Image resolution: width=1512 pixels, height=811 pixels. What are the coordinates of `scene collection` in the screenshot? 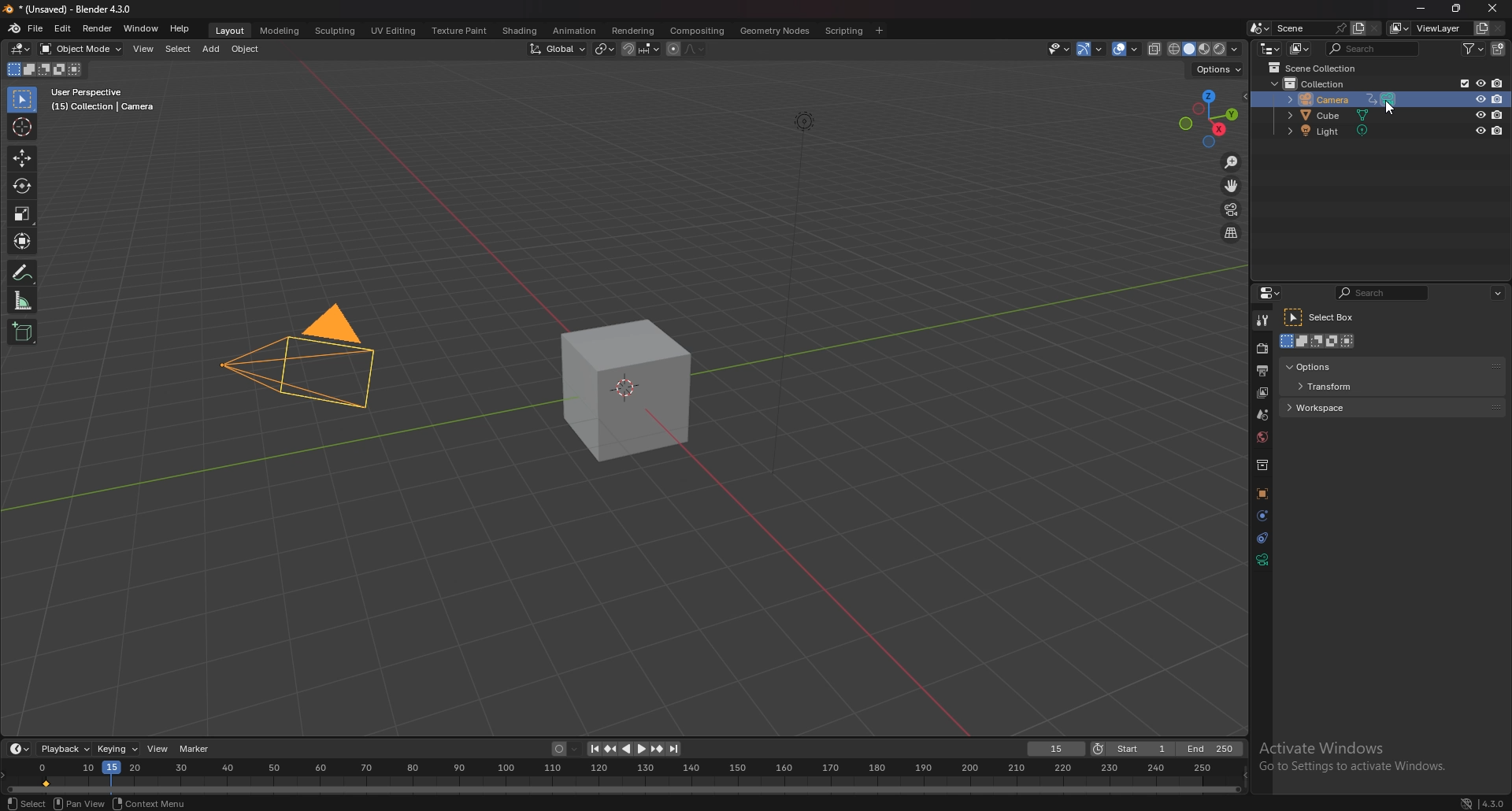 It's located at (1315, 67).